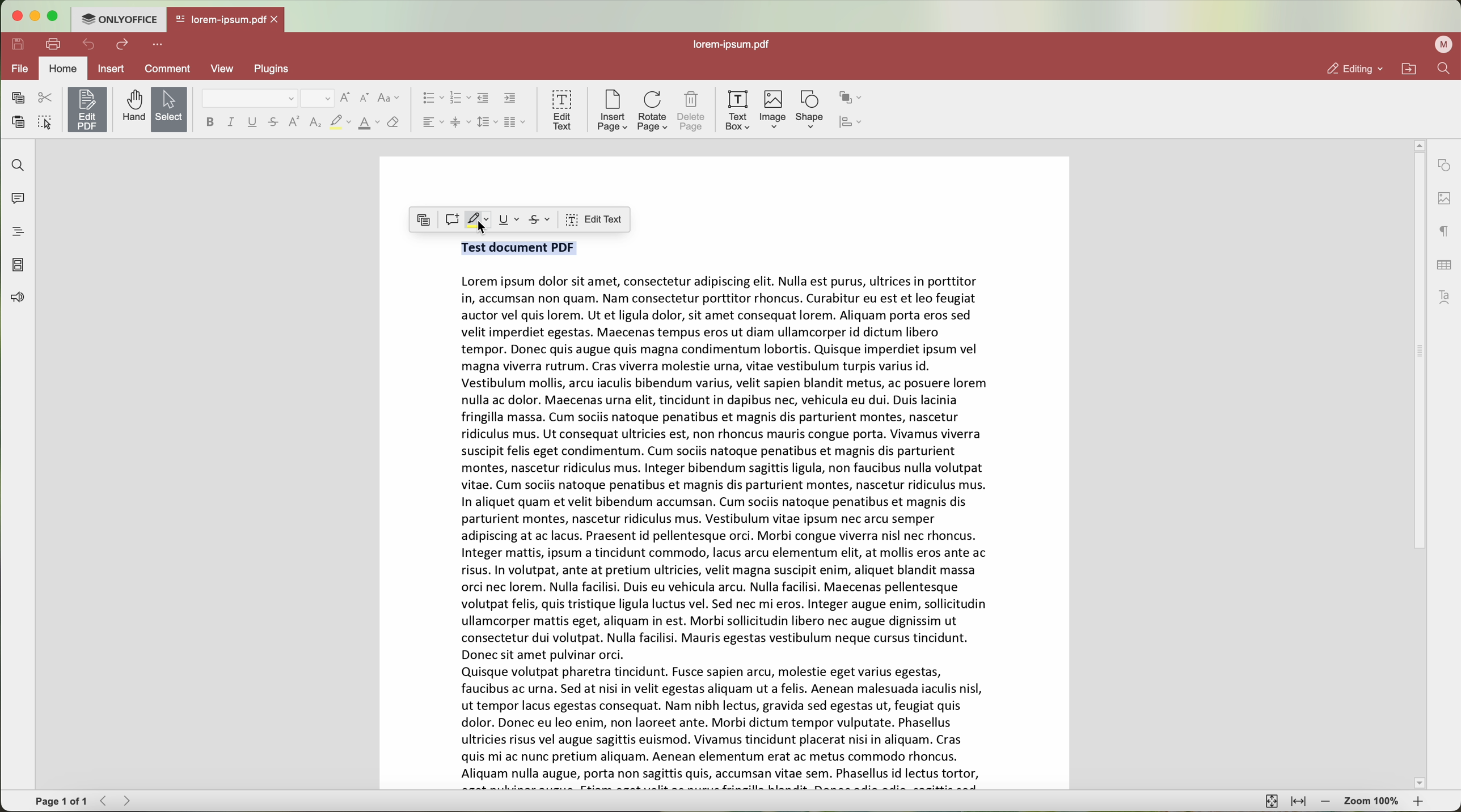  Describe the element at coordinates (118, 19) in the screenshot. I see `ONLYOFFICE` at that location.